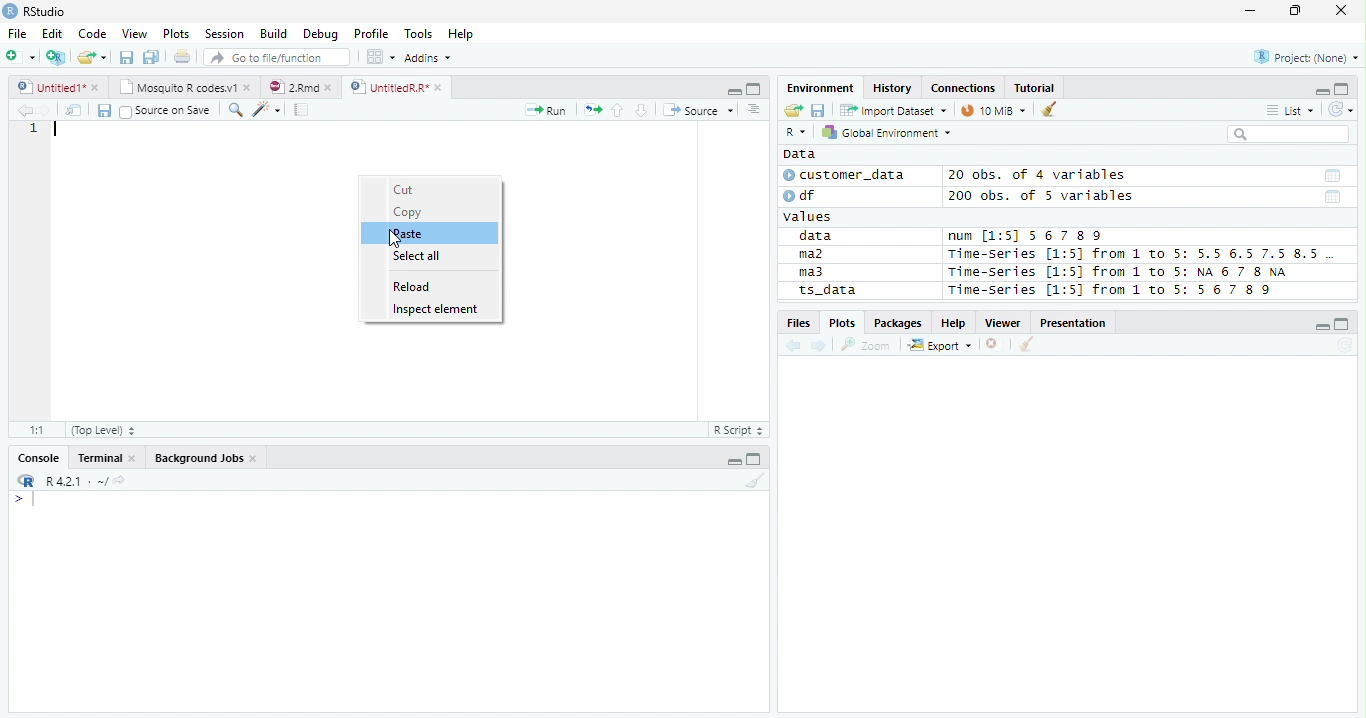  Describe the element at coordinates (940, 346) in the screenshot. I see `Export` at that location.